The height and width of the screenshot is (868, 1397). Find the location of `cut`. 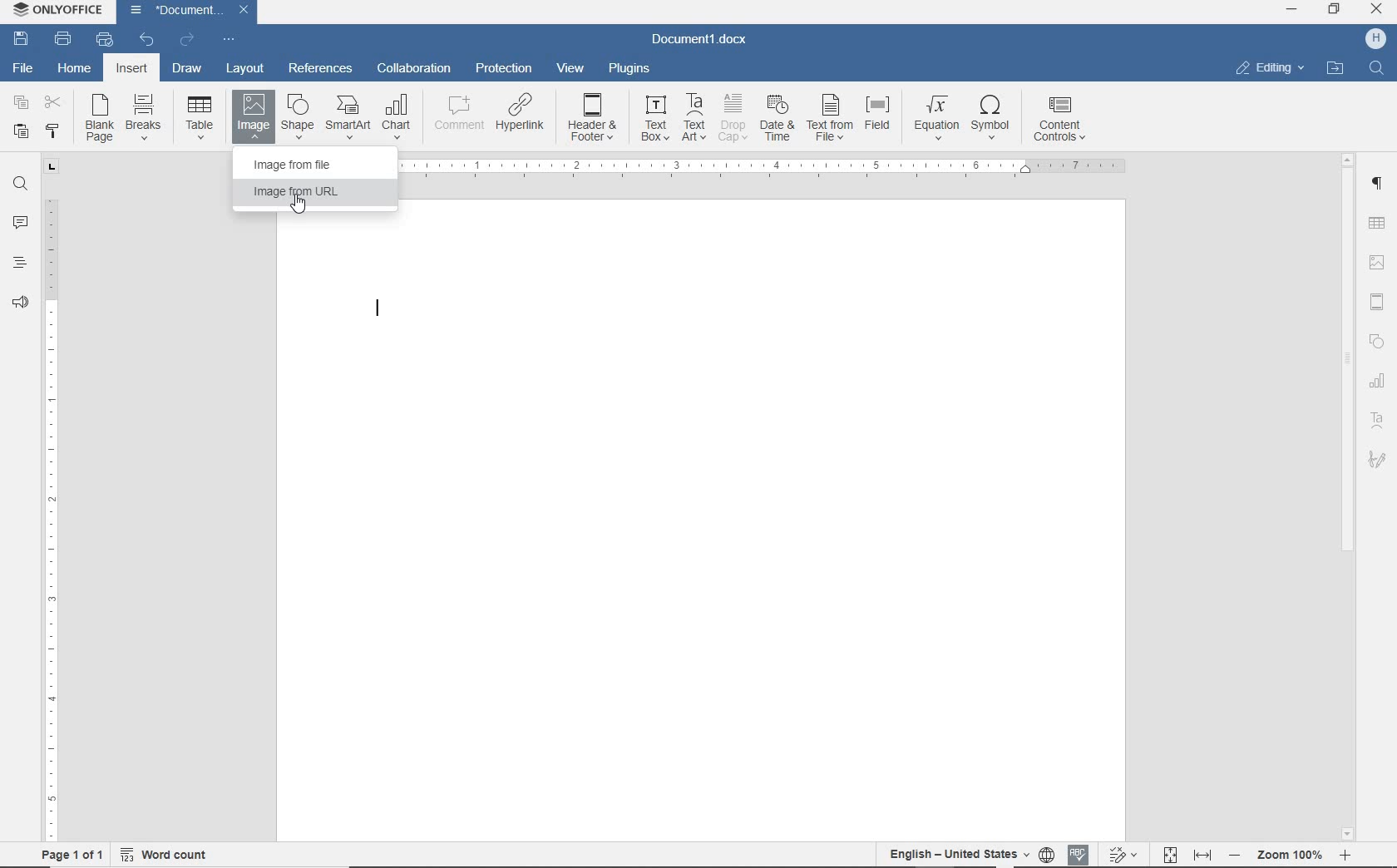

cut is located at coordinates (53, 101).